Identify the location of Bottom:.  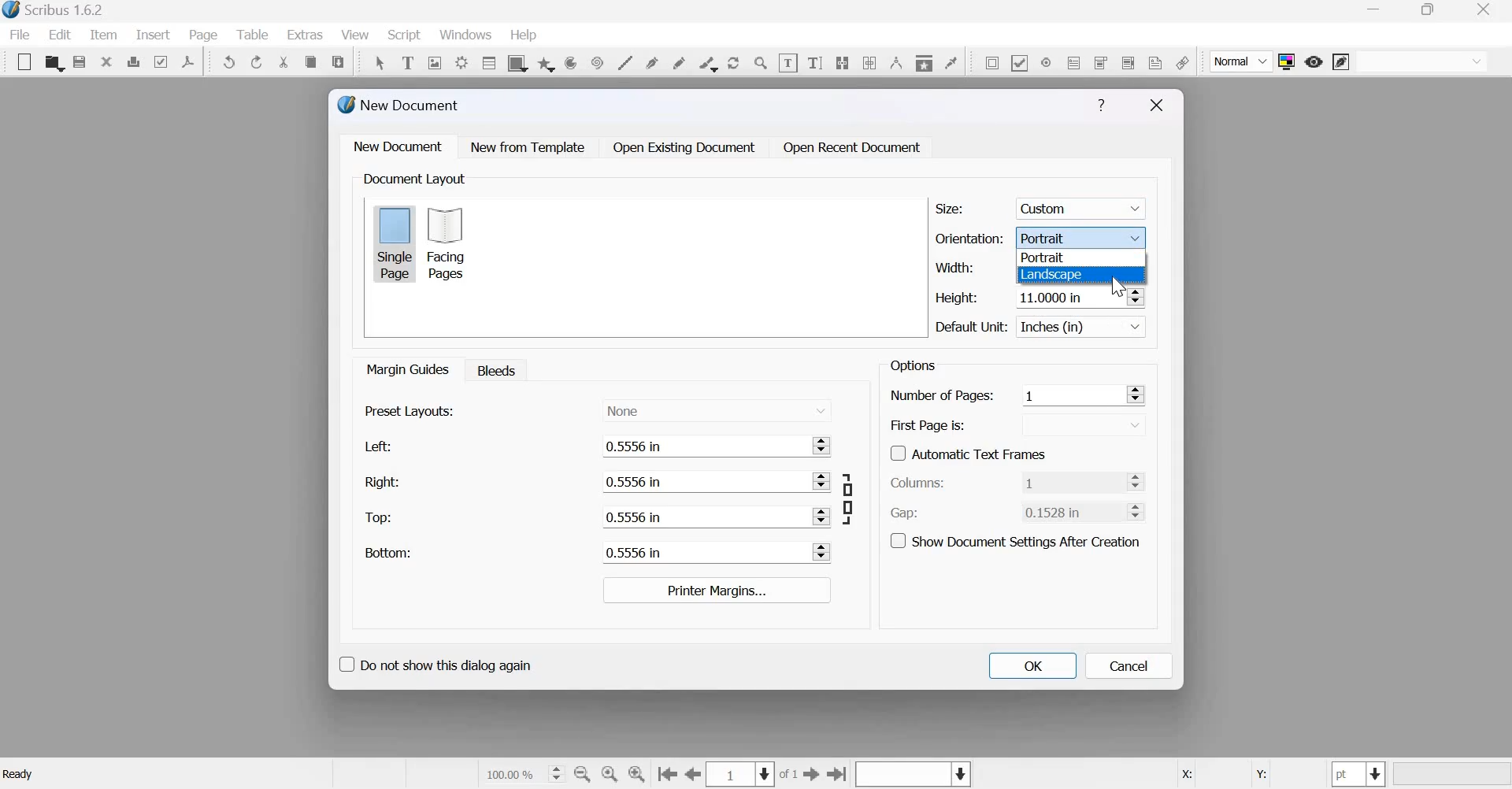
(387, 552).